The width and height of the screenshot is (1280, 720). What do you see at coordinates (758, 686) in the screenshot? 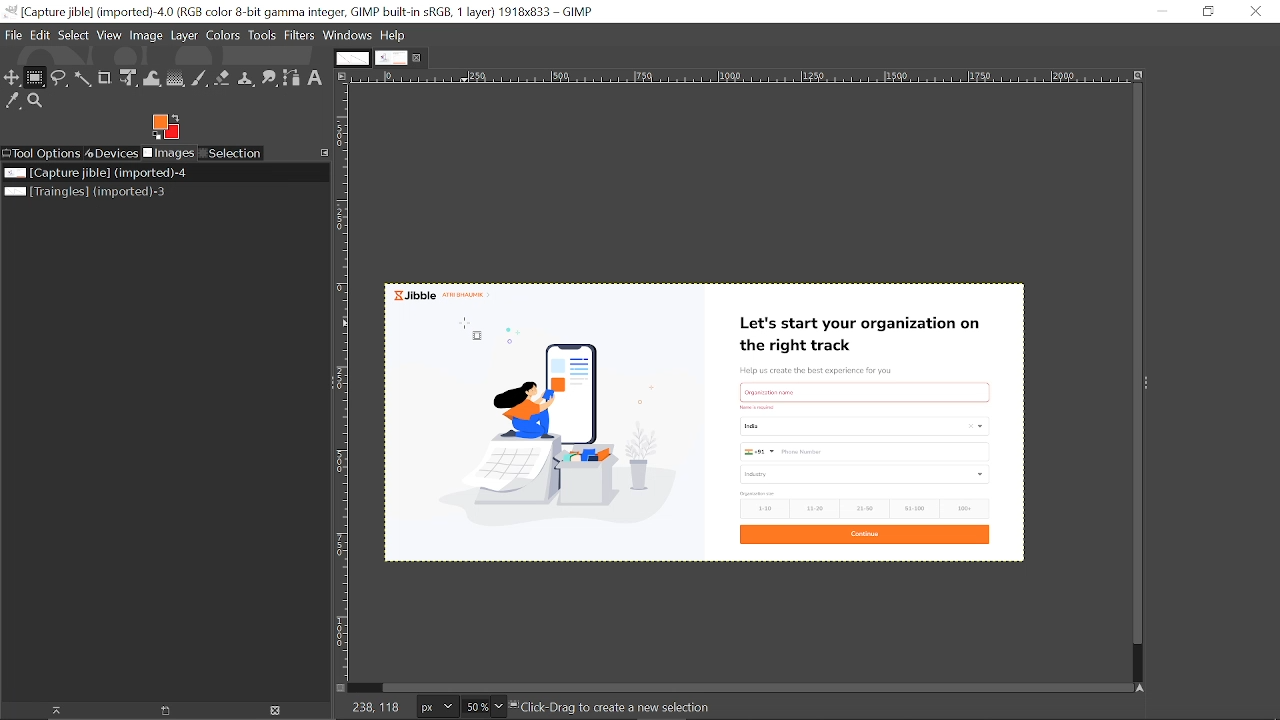
I see `Horizontal srollbar` at bounding box center [758, 686].